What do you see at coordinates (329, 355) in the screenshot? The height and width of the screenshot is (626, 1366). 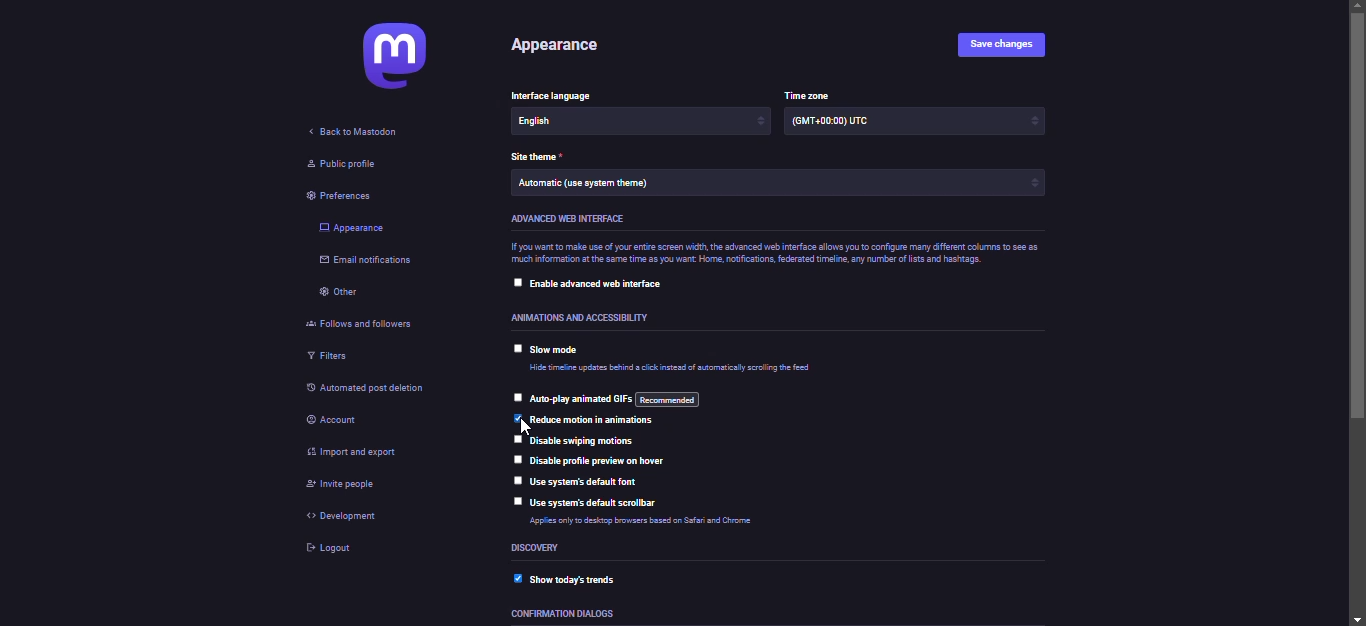 I see `filters` at bounding box center [329, 355].